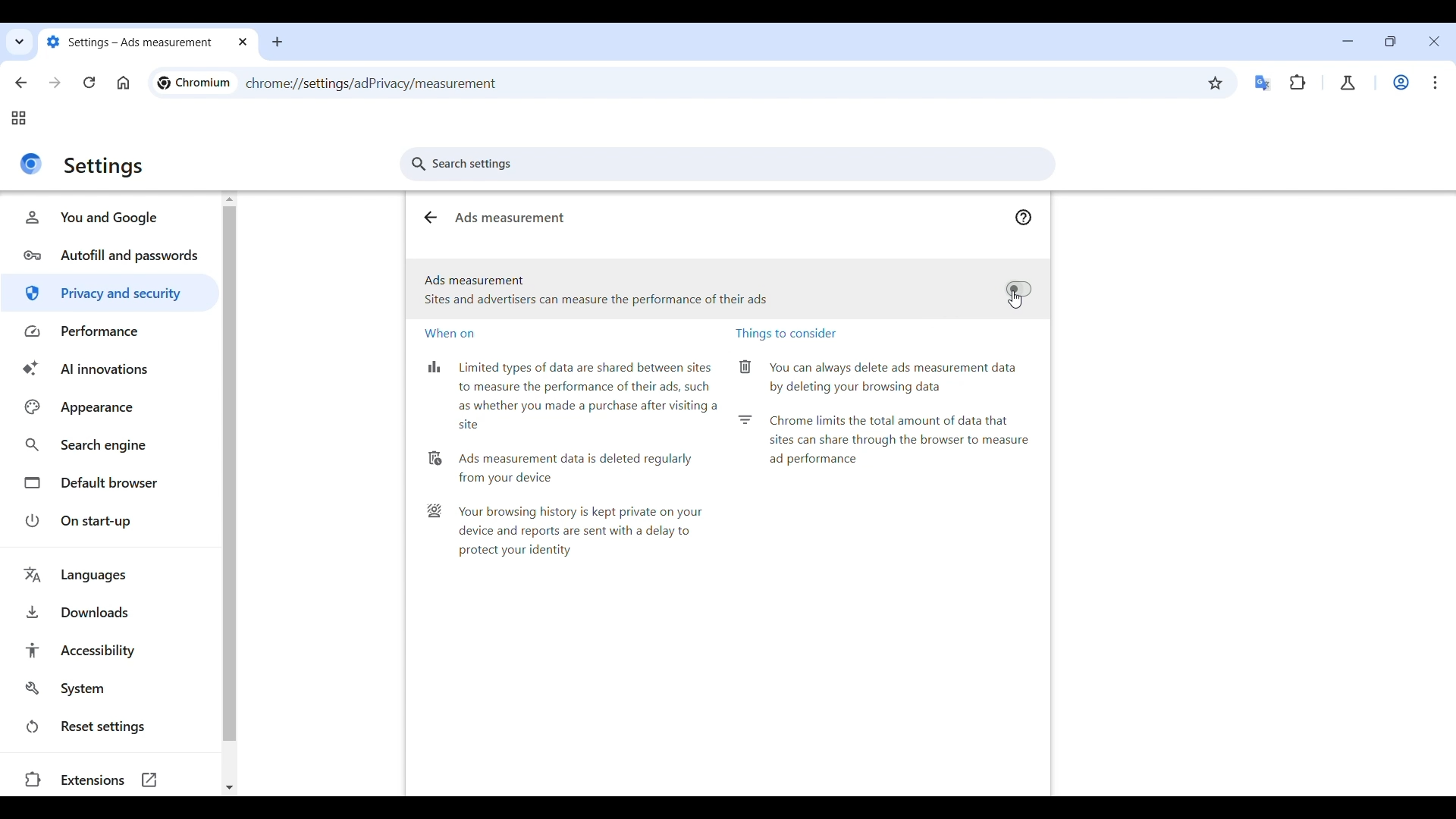 Image resolution: width=1456 pixels, height=819 pixels. I want to click on Ads measurement, so click(516, 218).